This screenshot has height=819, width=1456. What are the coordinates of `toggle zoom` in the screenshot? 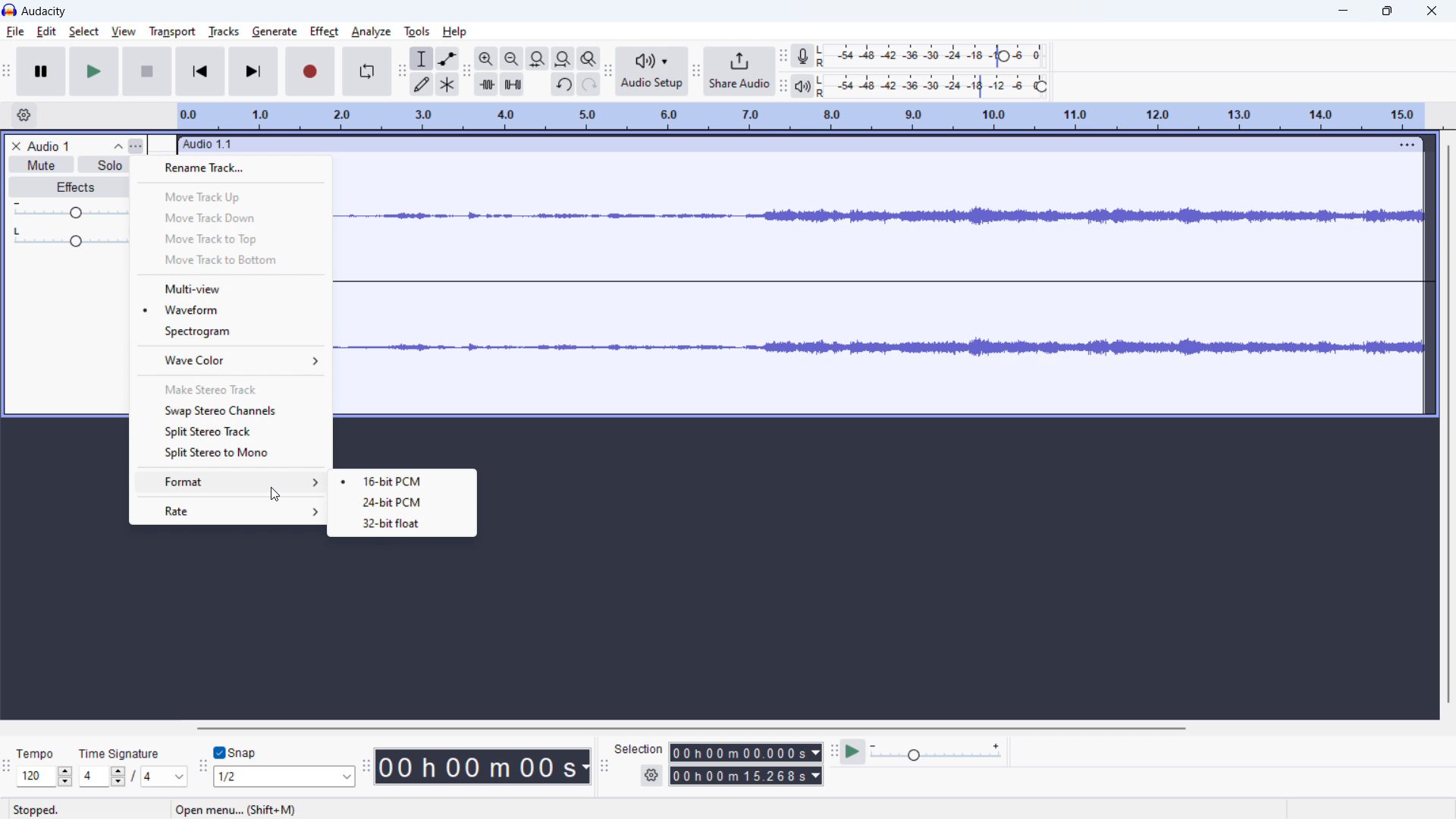 It's located at (589, 58).